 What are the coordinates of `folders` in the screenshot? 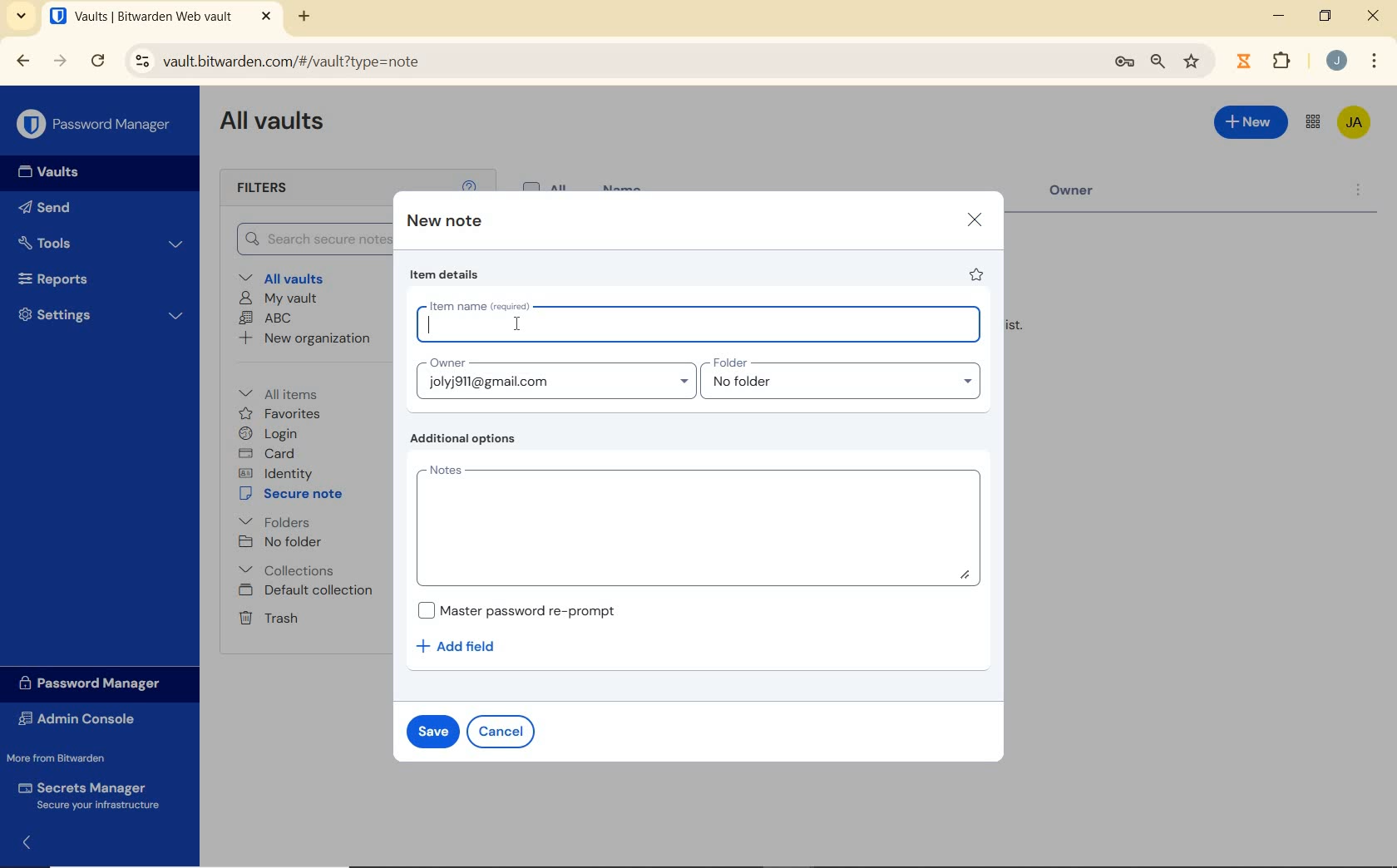 It's located at (274, 520).